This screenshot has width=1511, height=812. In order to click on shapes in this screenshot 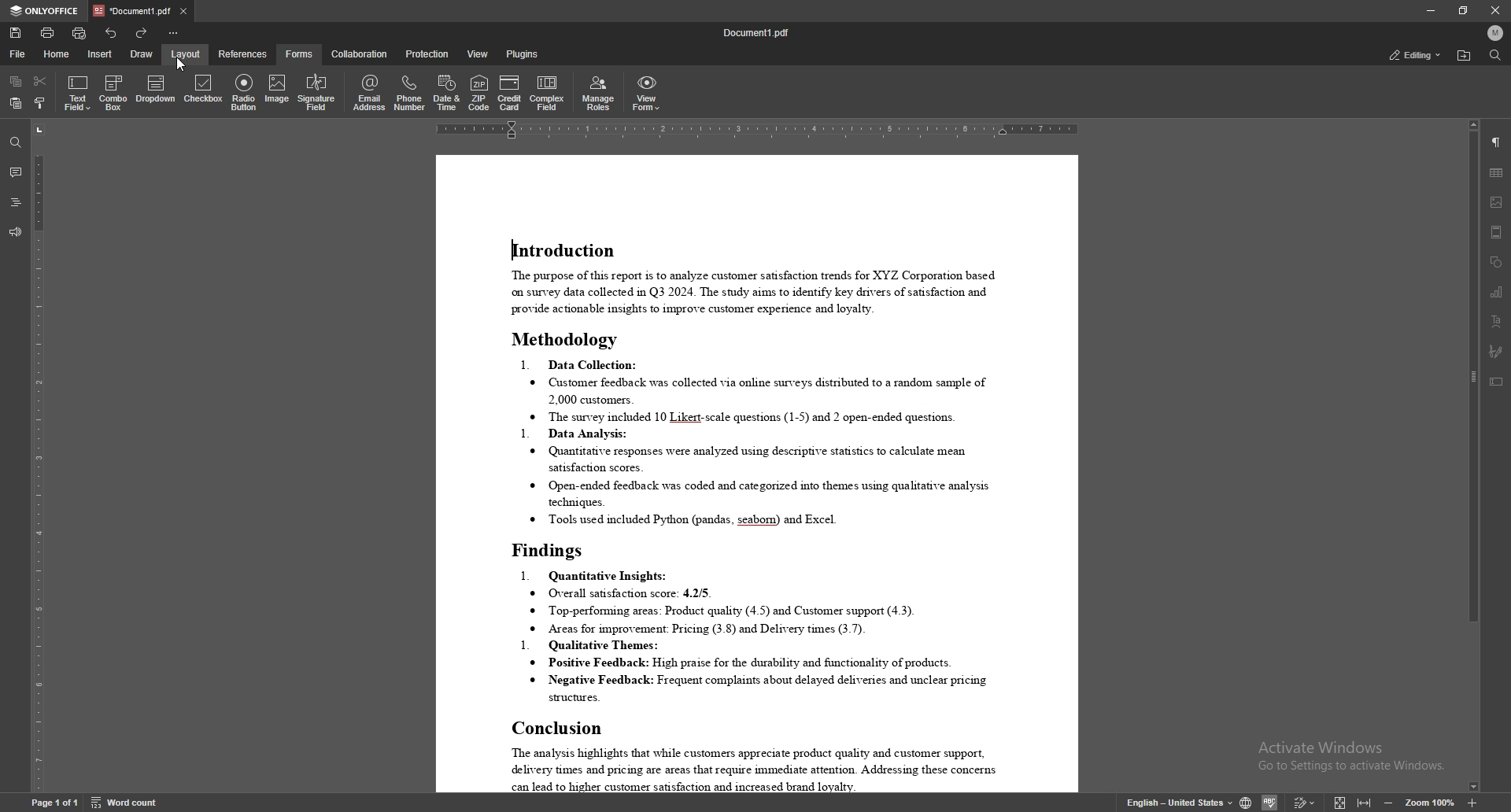, I will do `click(1497, 262)`.